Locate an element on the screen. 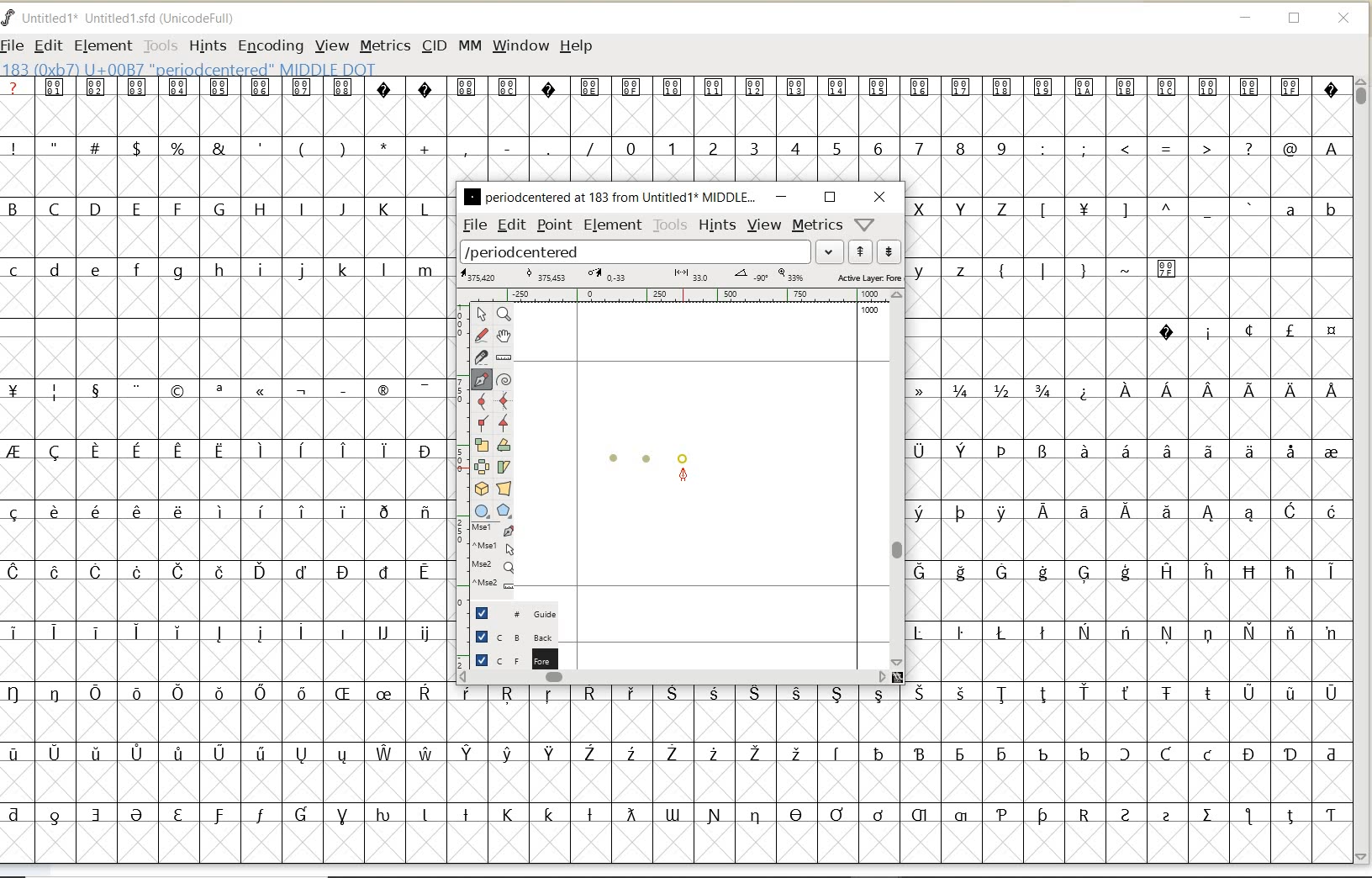  CID is located at coordinates (434, 48).